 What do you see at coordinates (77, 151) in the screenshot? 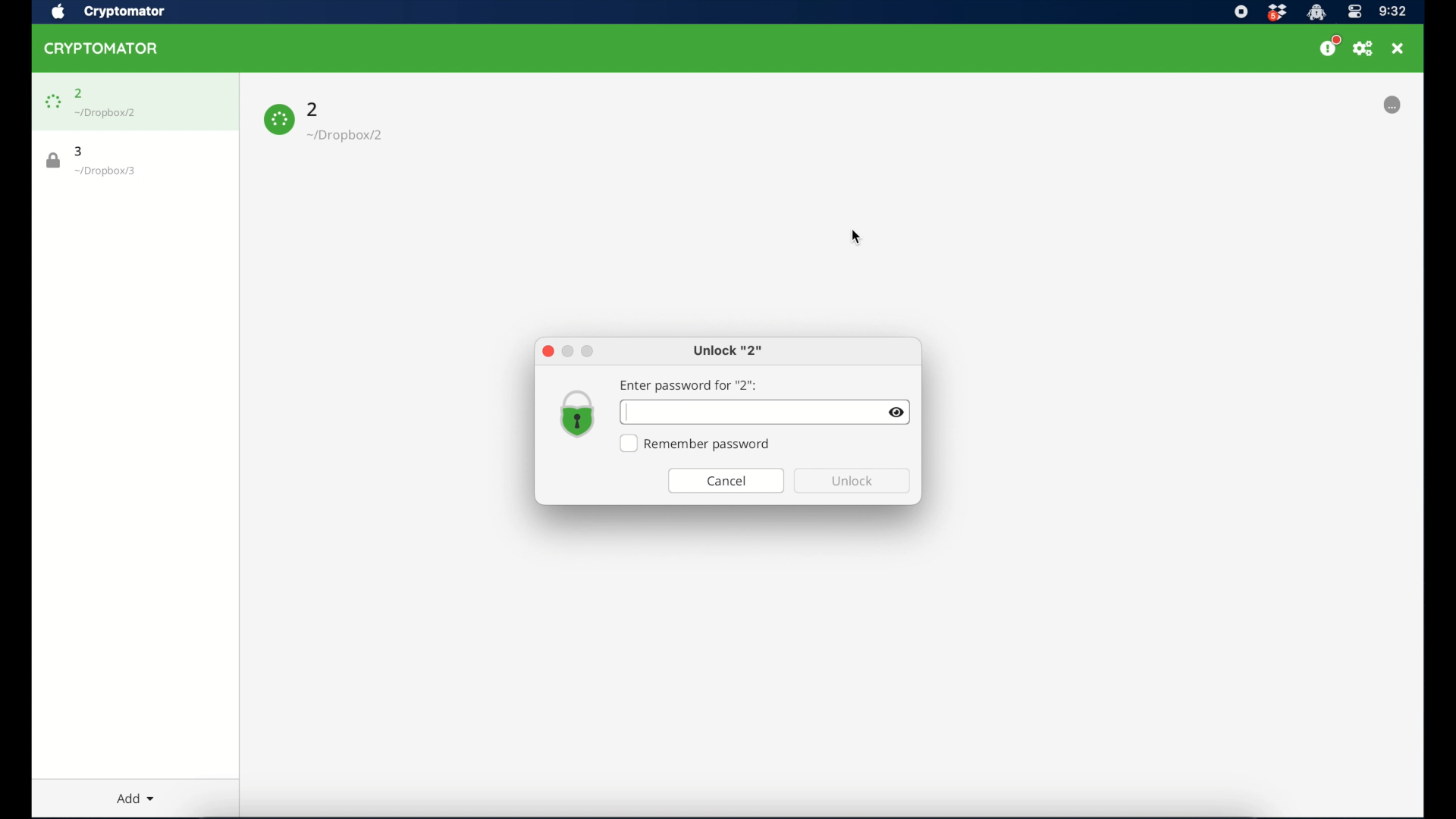
I see `3` at bounding box center [77, 151].